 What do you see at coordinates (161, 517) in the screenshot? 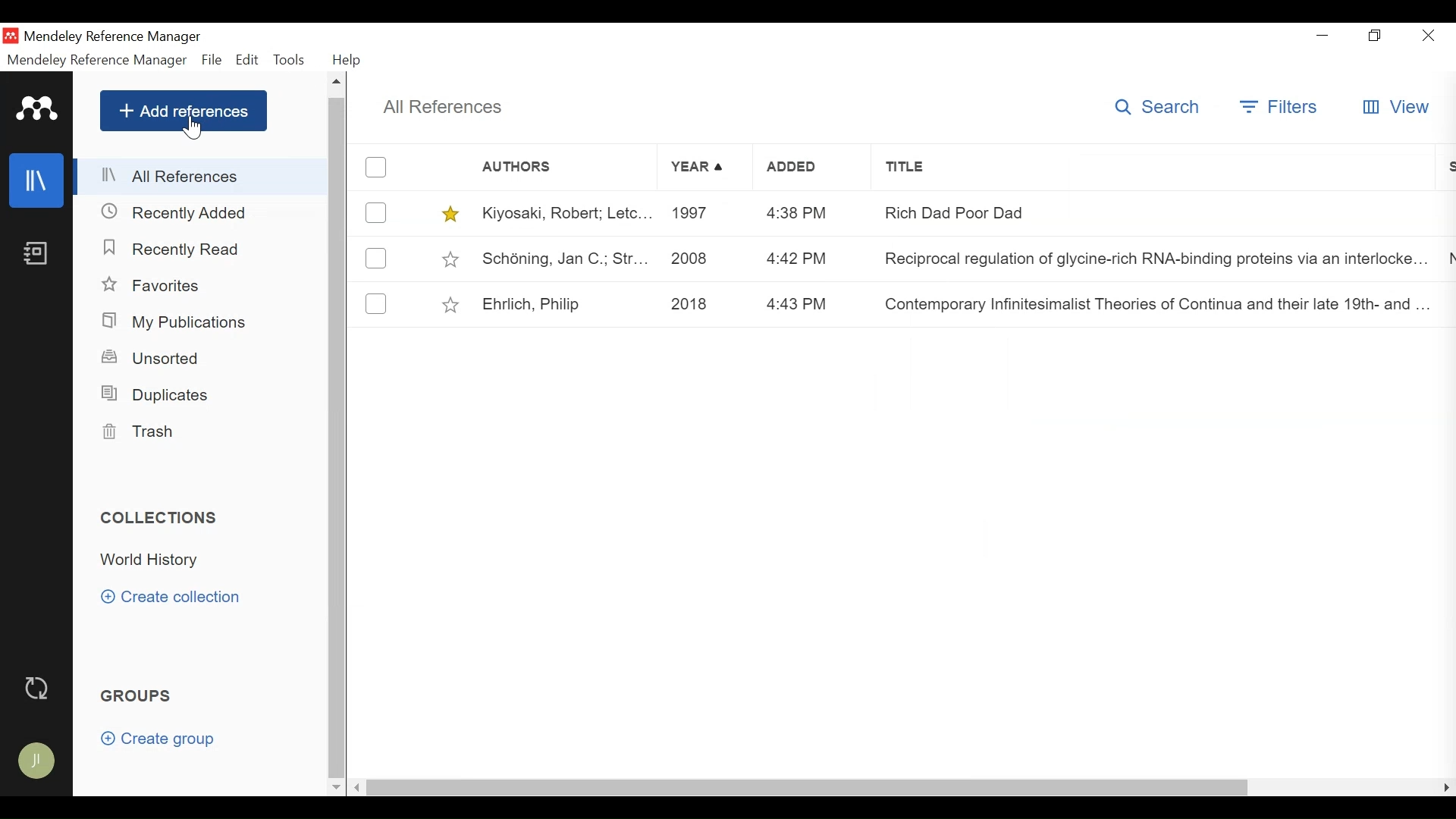
I see `Collections` at bounding box center [161, 517].